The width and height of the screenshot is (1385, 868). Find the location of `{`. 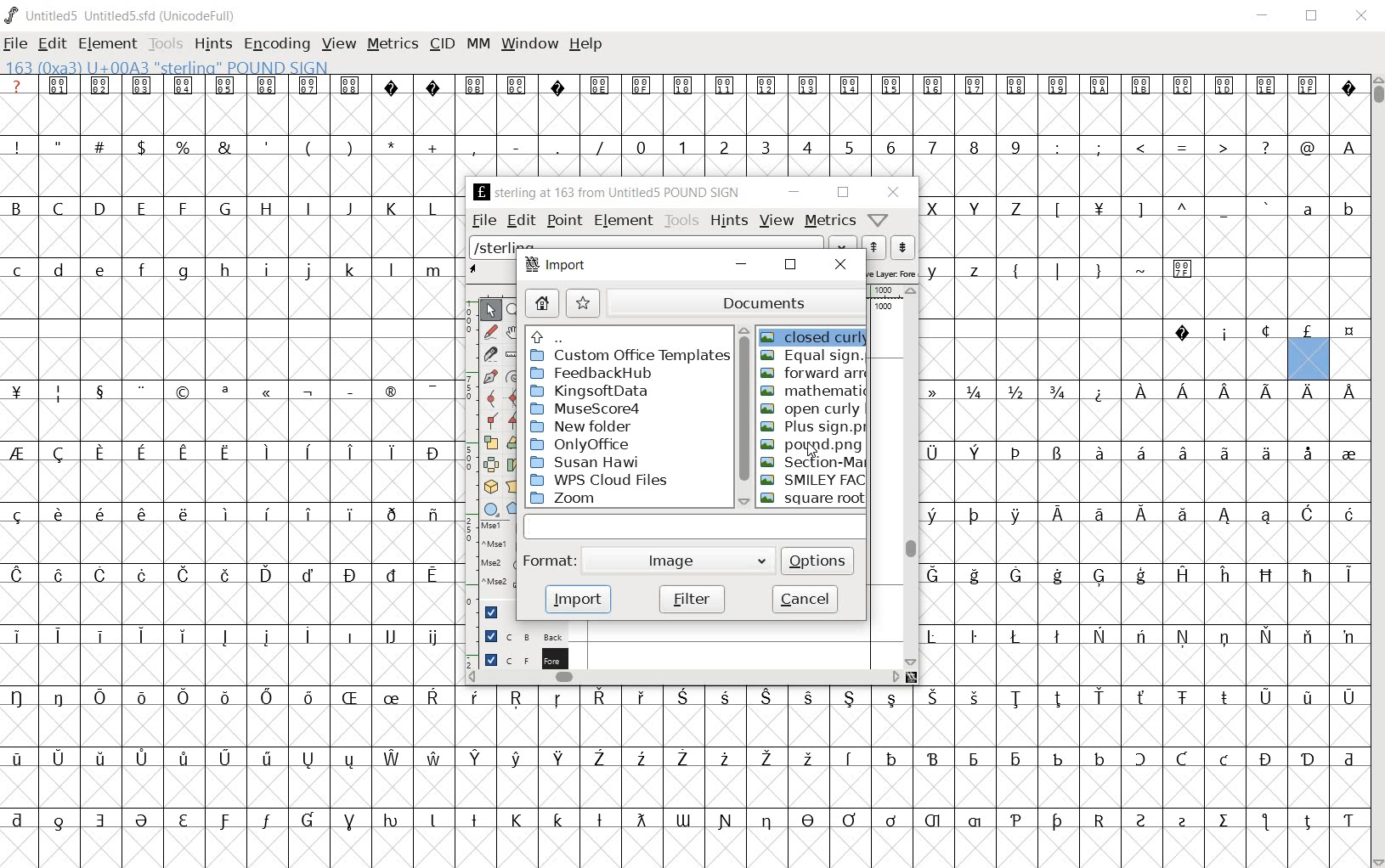

{ is located at coordinates (1015, 270).